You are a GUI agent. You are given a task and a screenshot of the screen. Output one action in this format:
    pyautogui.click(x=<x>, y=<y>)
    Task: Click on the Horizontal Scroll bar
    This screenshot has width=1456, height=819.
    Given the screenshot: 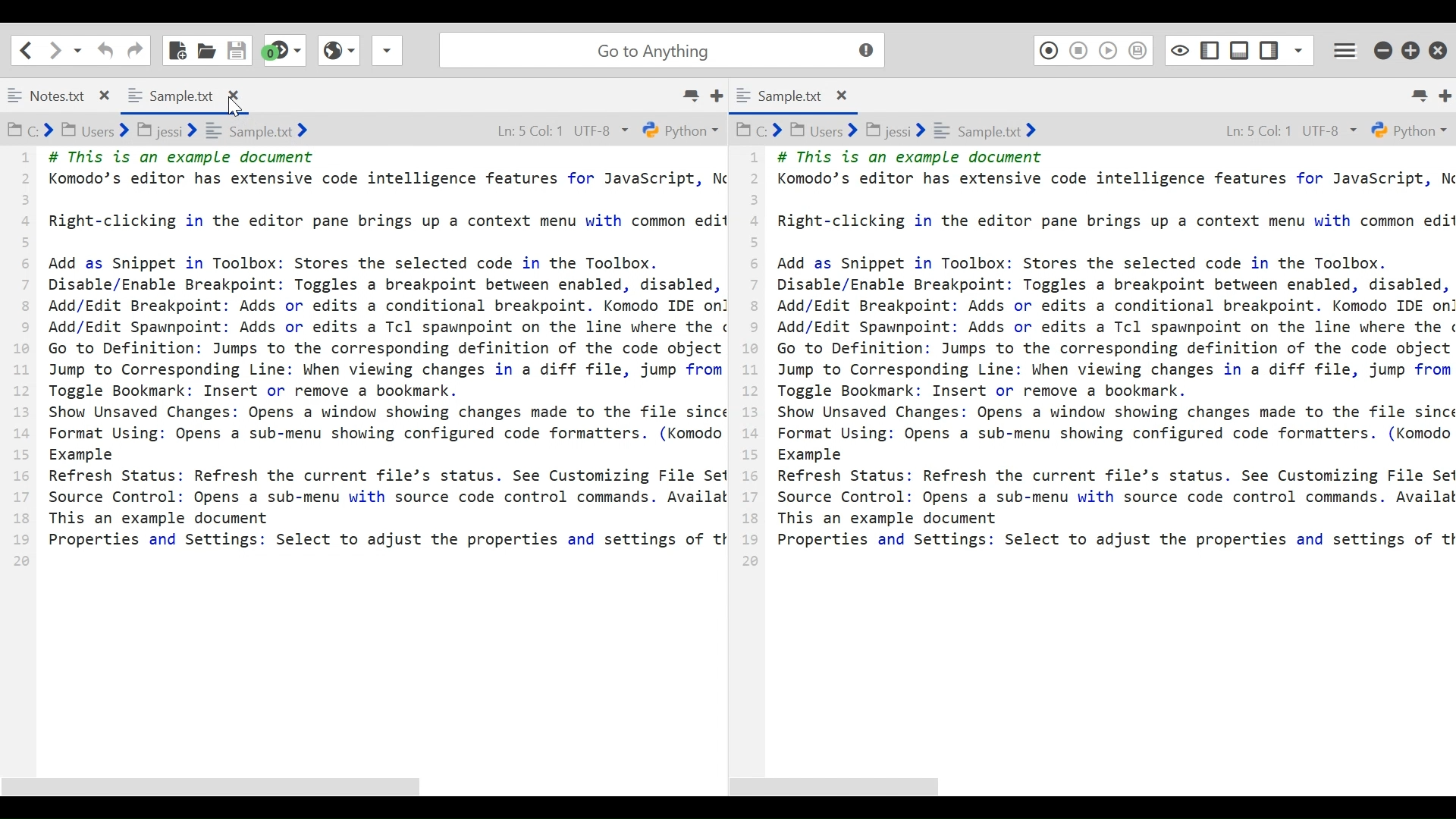 What is the action you would take?
    pyautogui.click(x=836, y=786)
    